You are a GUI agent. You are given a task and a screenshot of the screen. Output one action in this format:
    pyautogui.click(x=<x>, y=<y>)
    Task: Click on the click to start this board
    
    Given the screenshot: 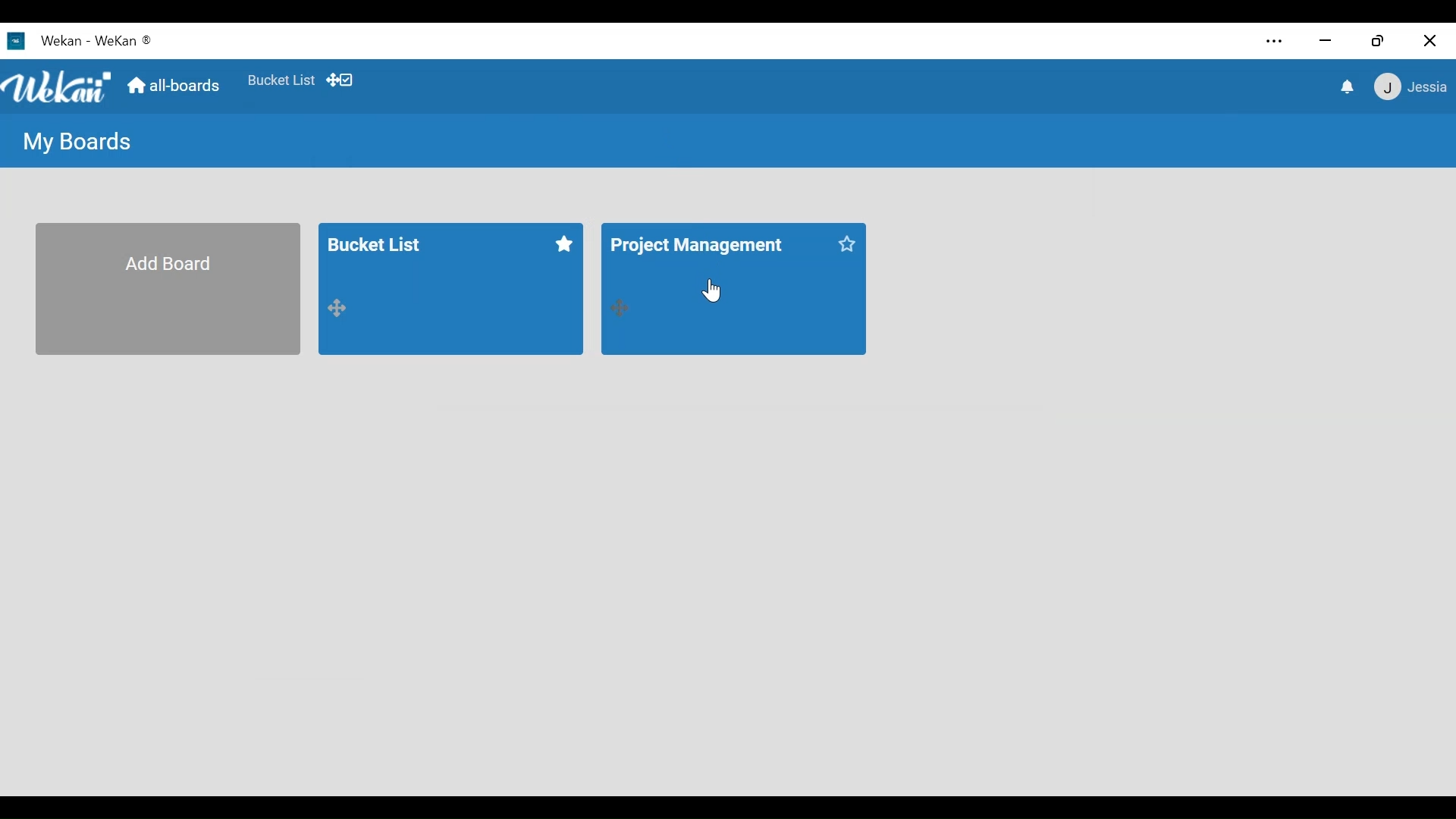 What is the action you would take?
    pyautogui.click(x=569, y=245)
    